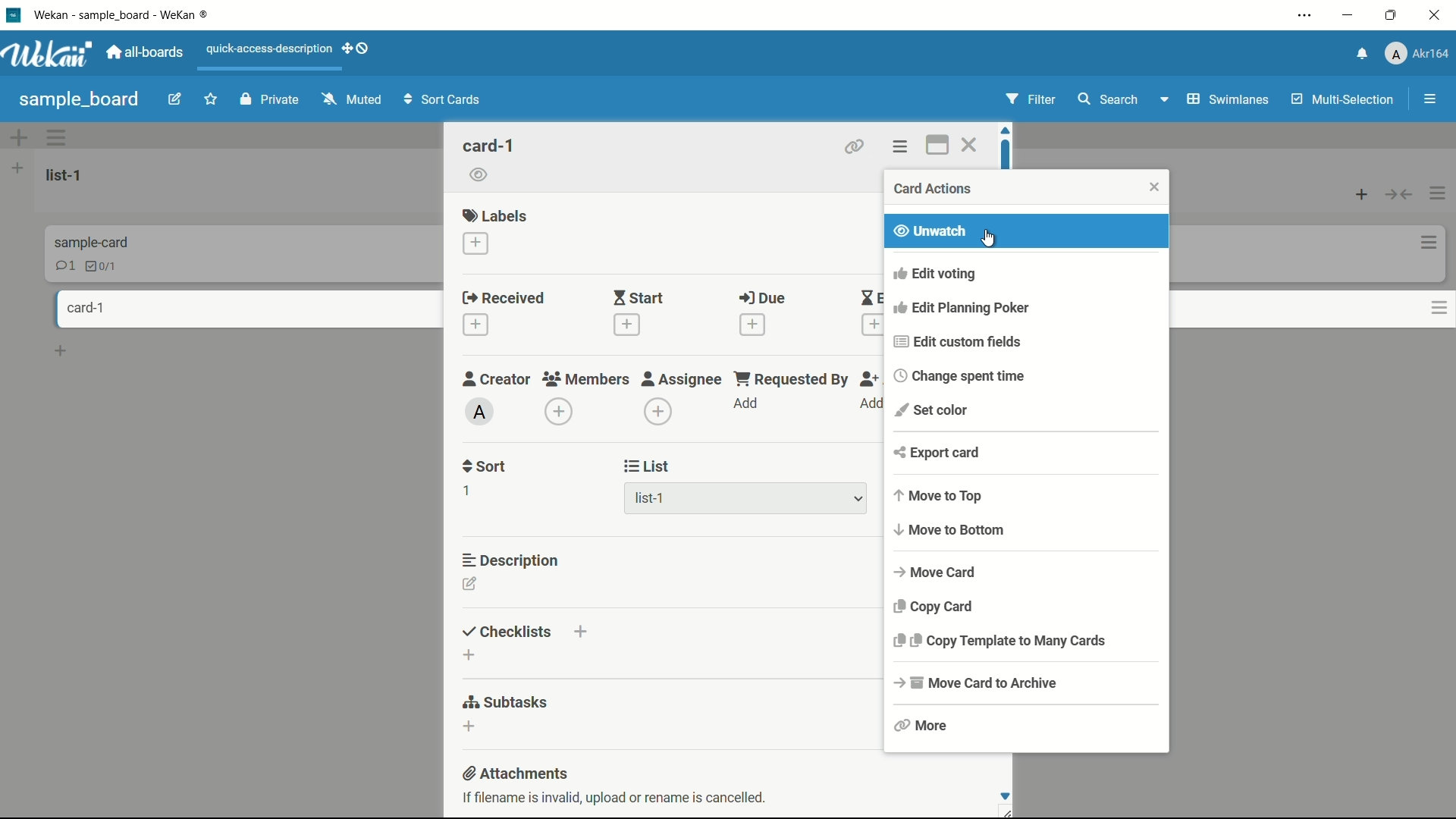 The image size is (1456, 819). I want to click on add member, so click(561, 411).